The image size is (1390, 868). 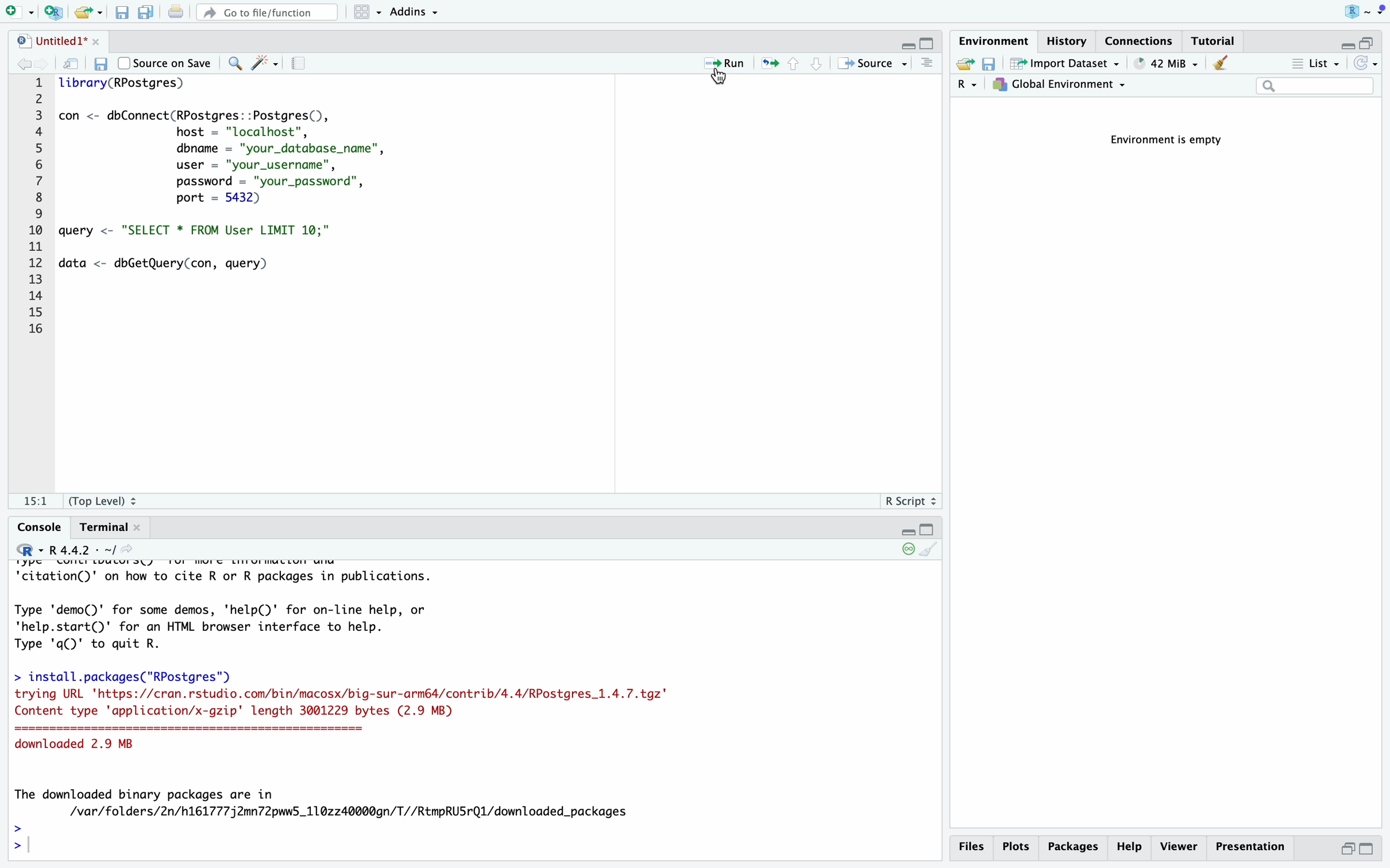 I want to click on create a project, so click(x=52, y=11).